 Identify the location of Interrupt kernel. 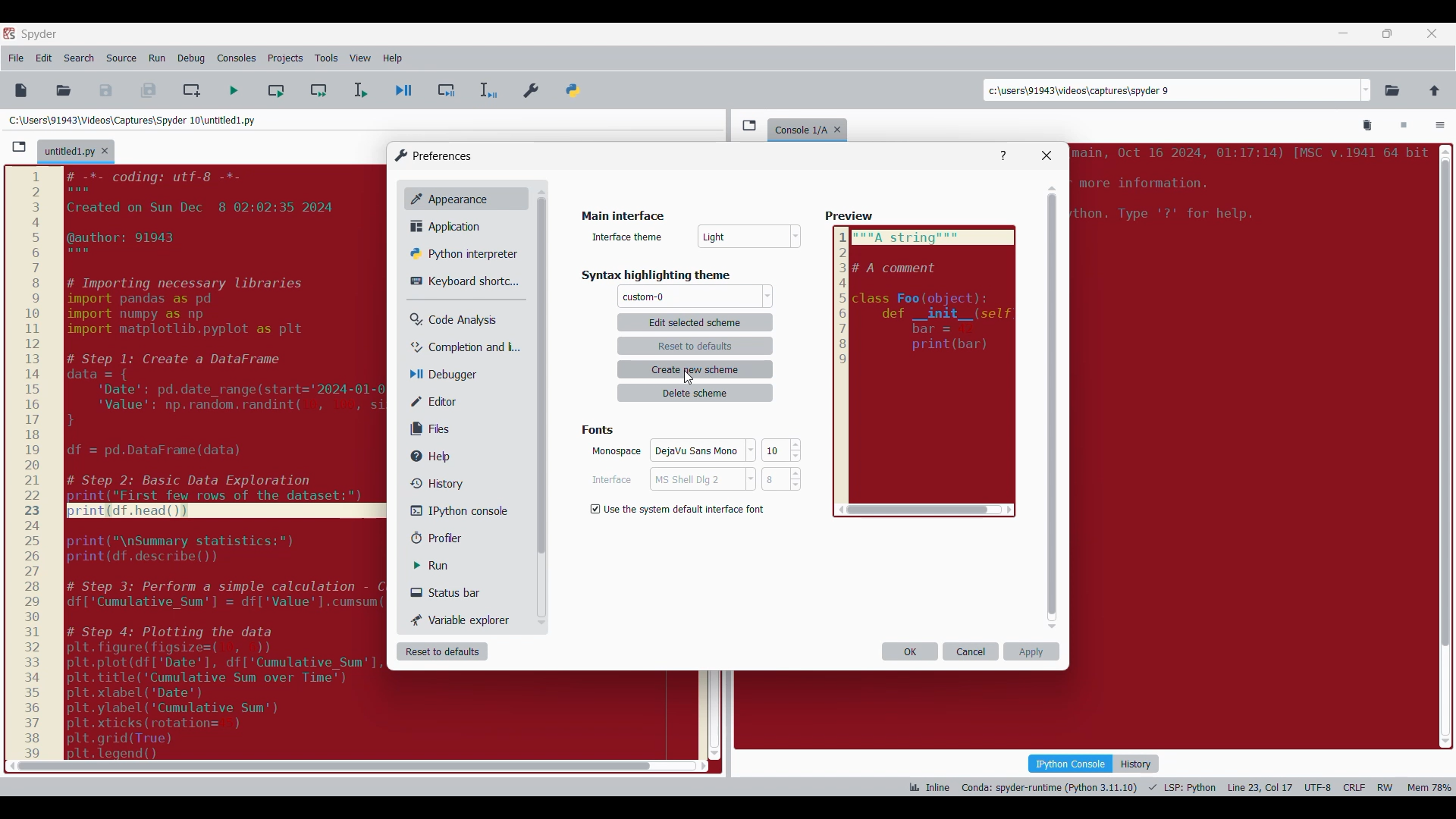
(1404, 126).